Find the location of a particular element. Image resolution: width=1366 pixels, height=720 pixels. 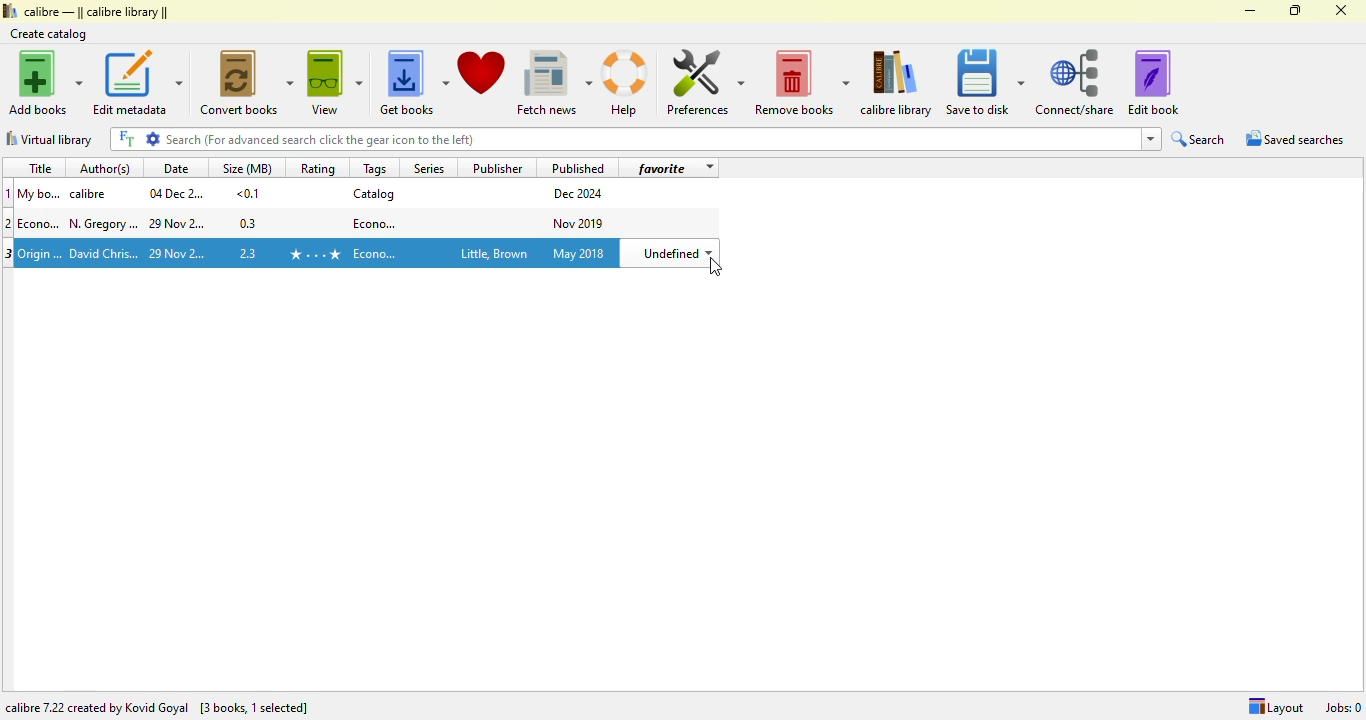

size is located at coordinates (250, 251).